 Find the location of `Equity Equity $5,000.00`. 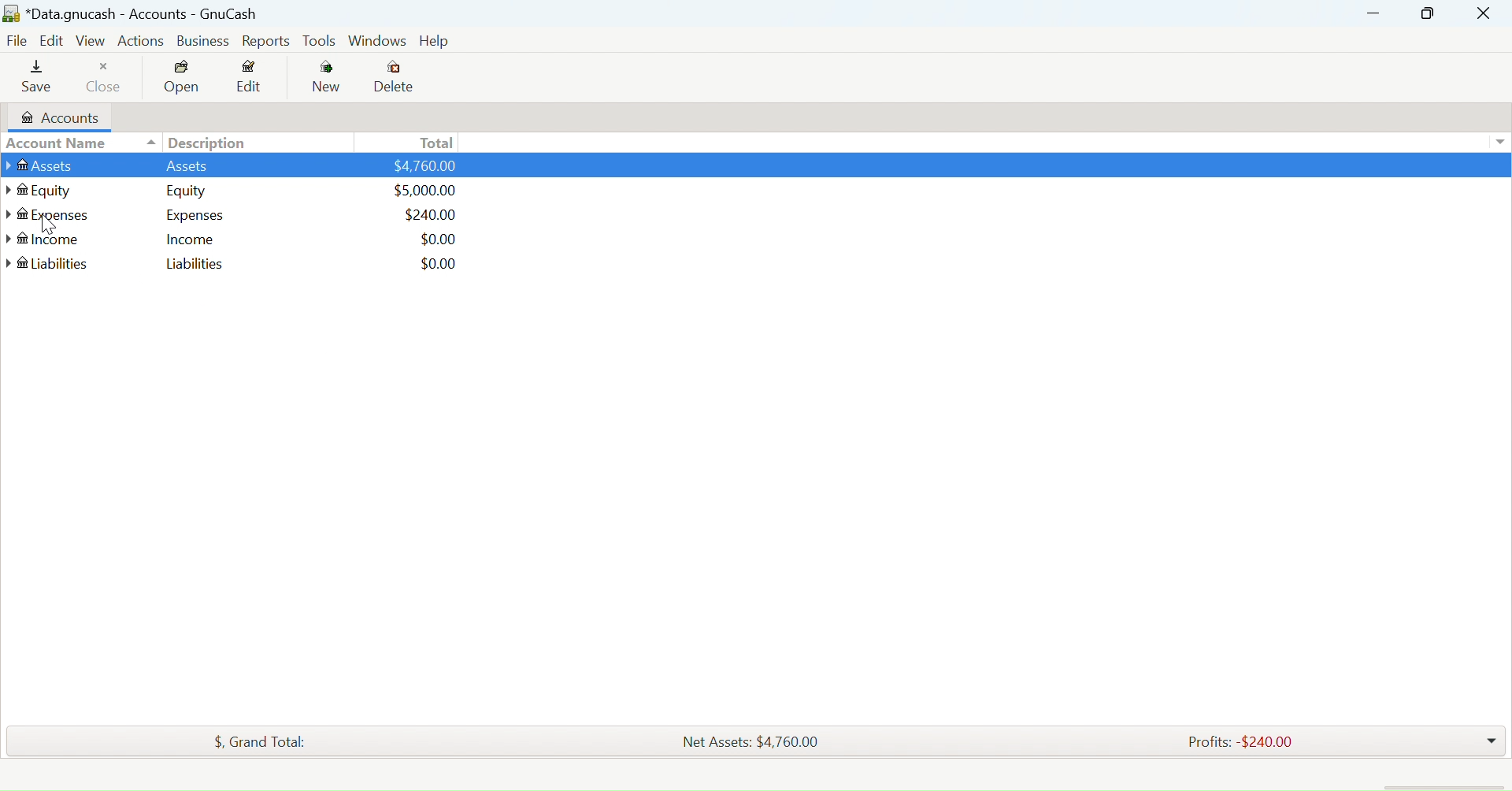

Equity Equity $5,000.00 is located at coordinates (254, 193).